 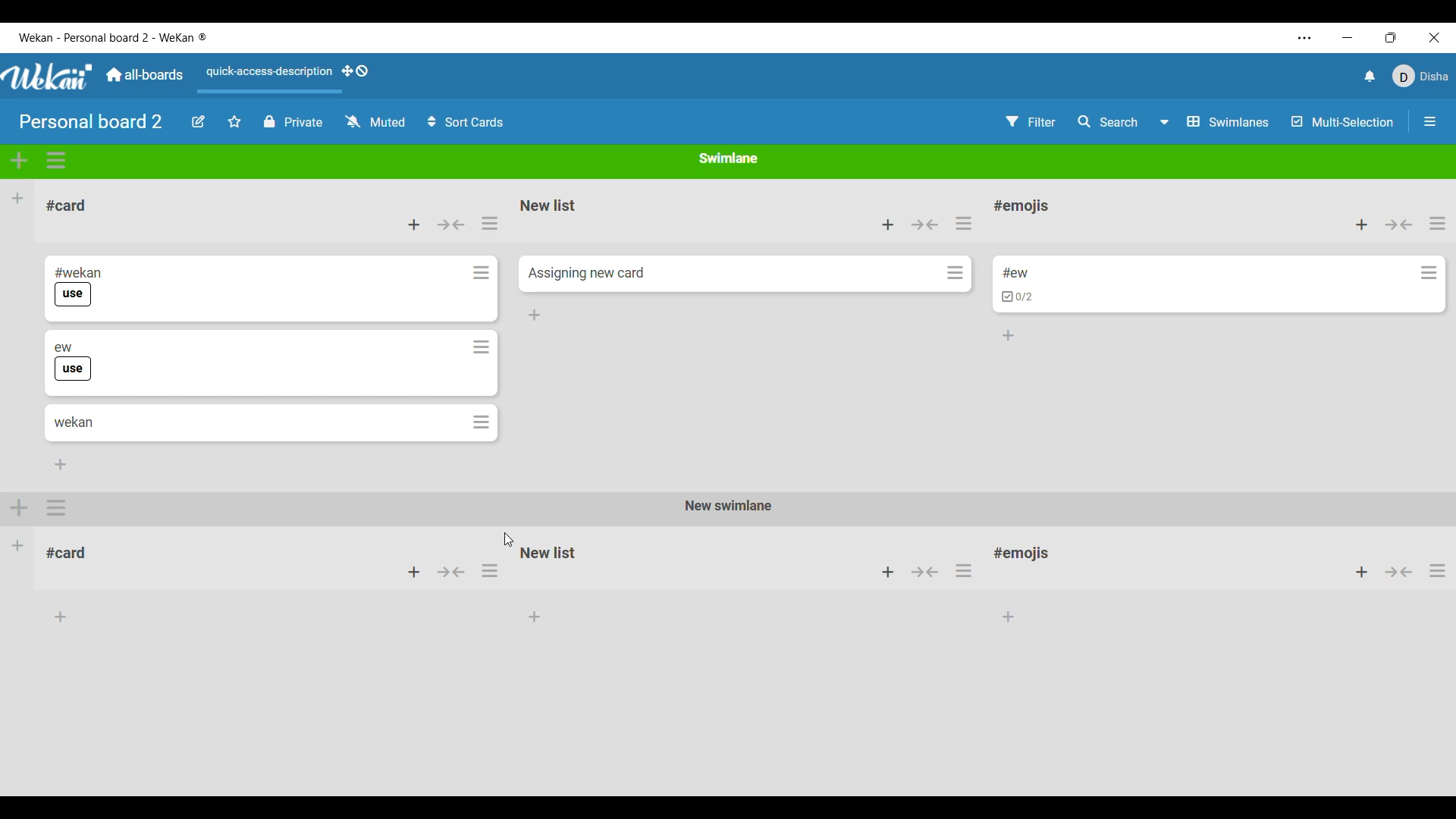 I want to click on add, so click(x=883, y=573).